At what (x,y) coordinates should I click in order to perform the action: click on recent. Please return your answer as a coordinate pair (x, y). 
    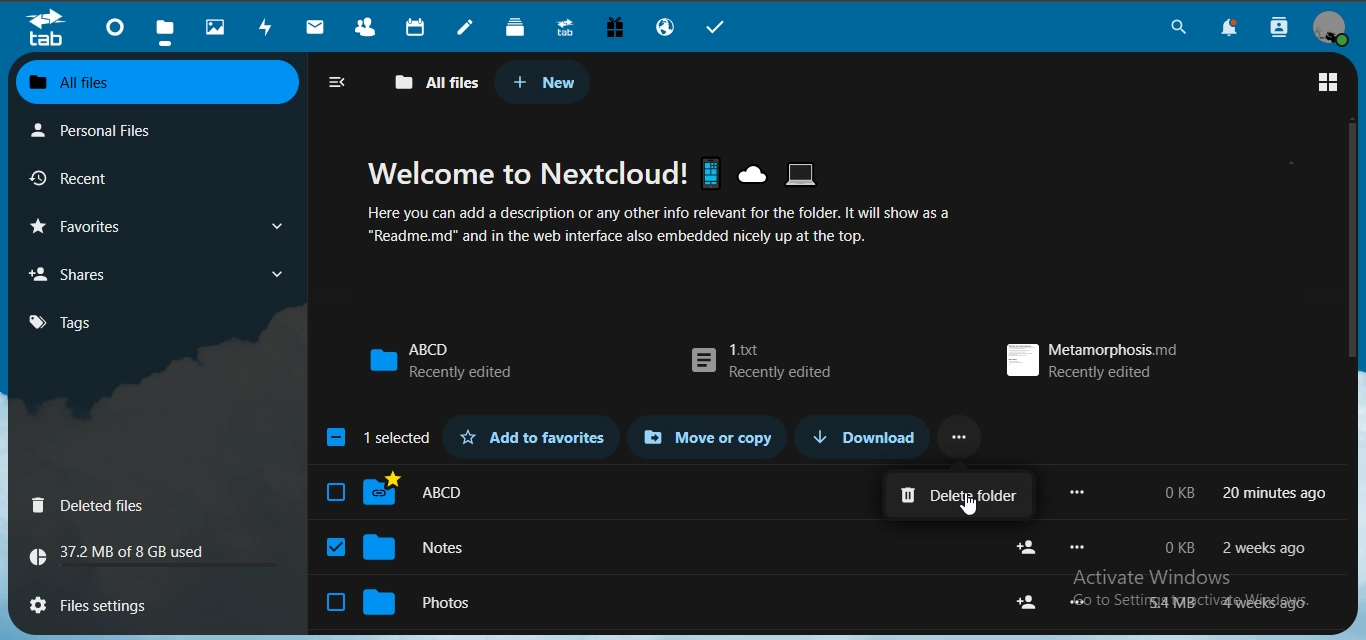
    Looking at the image, I should click on (106, 177).